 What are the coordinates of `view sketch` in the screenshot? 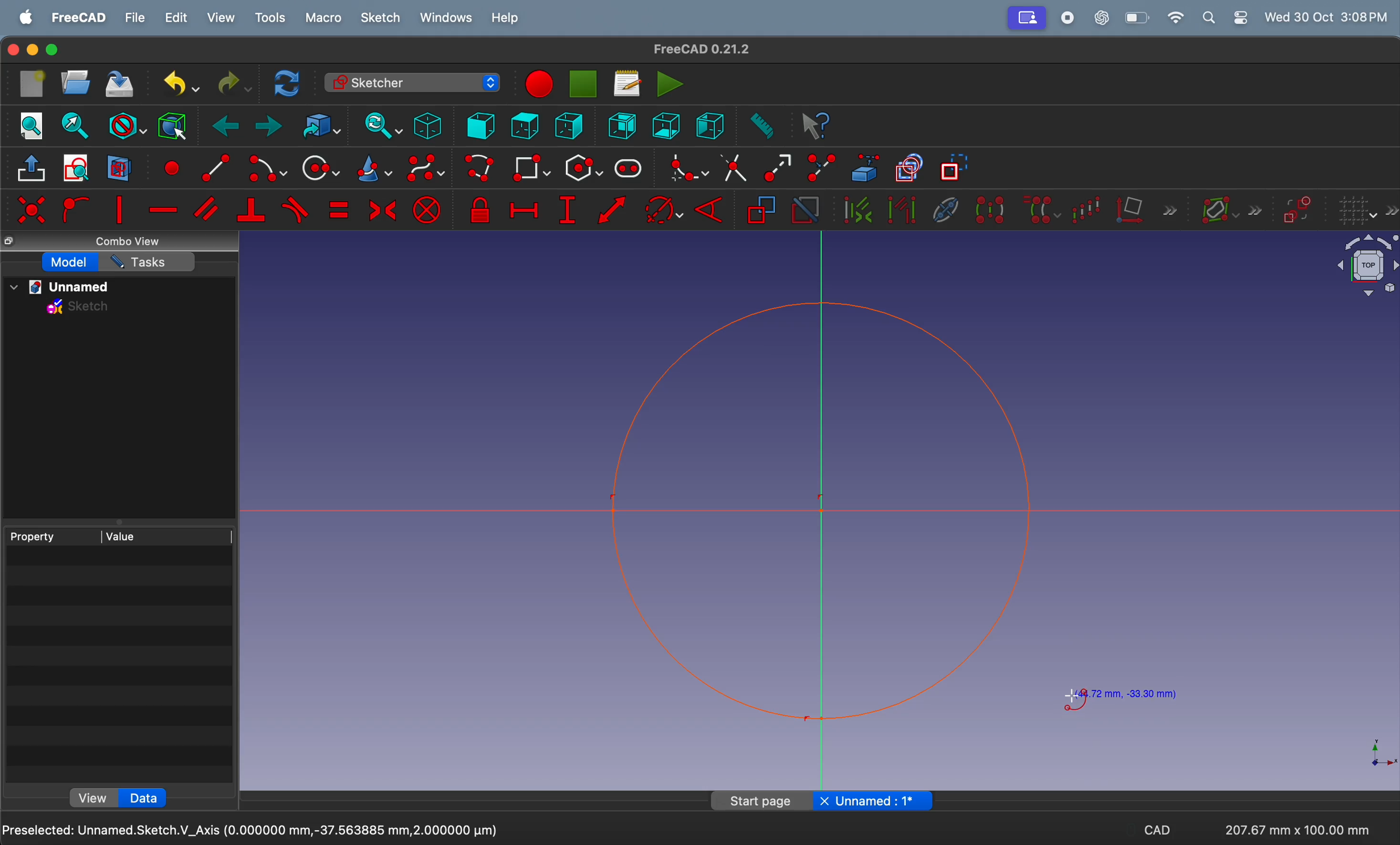 It's located at (79, 169).